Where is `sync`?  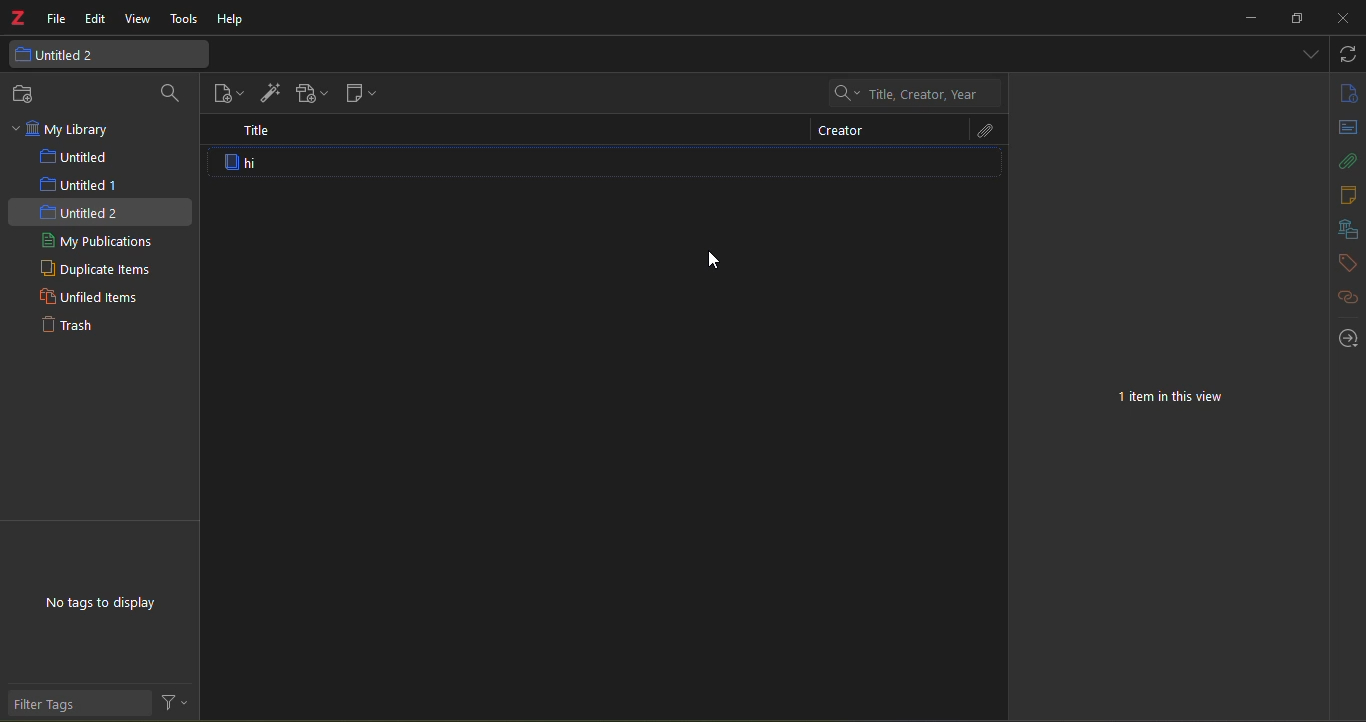
sync is located at coordinates (1350, 53).